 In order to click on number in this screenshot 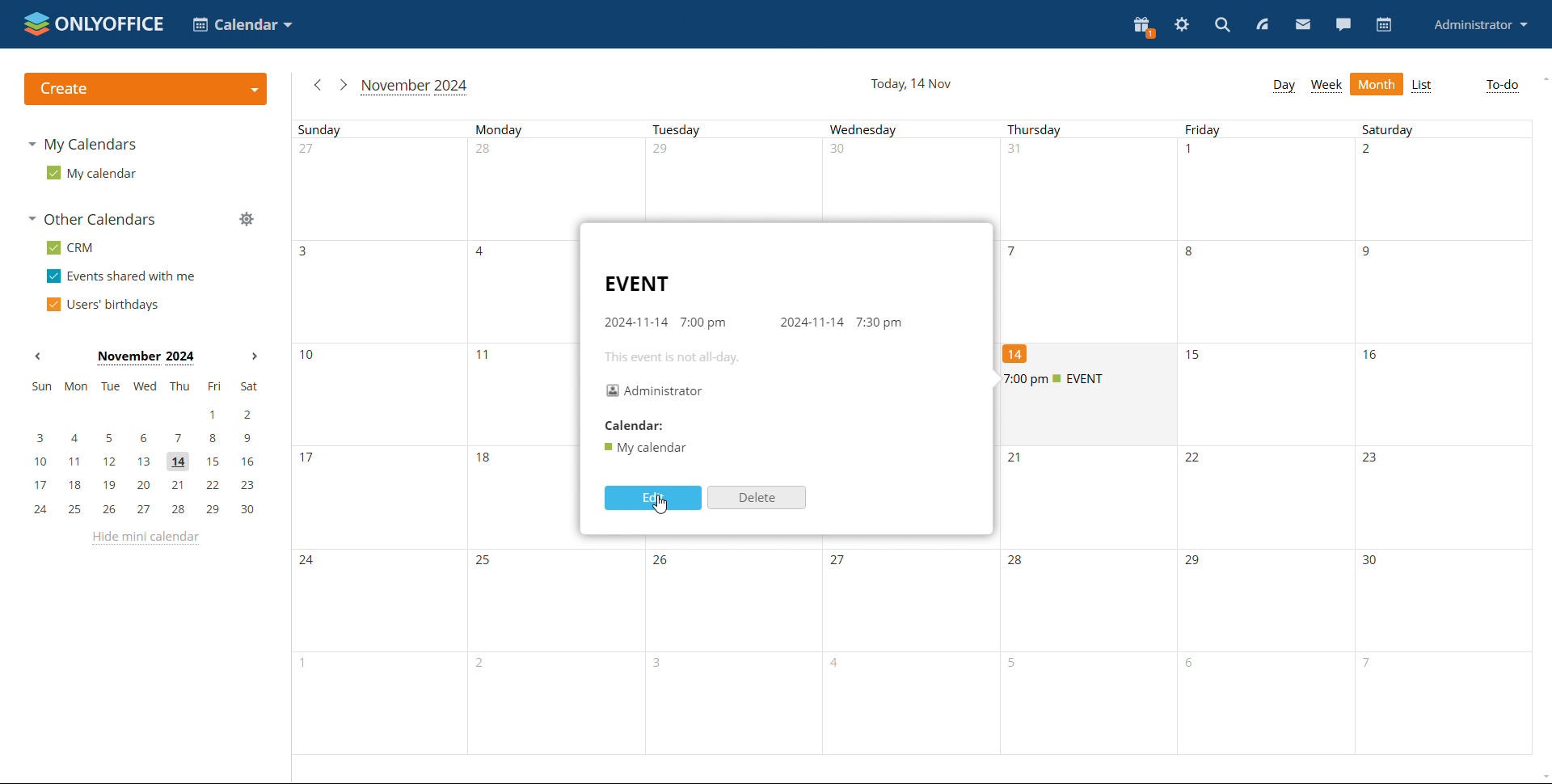, I will do `click(1019, 563)`.